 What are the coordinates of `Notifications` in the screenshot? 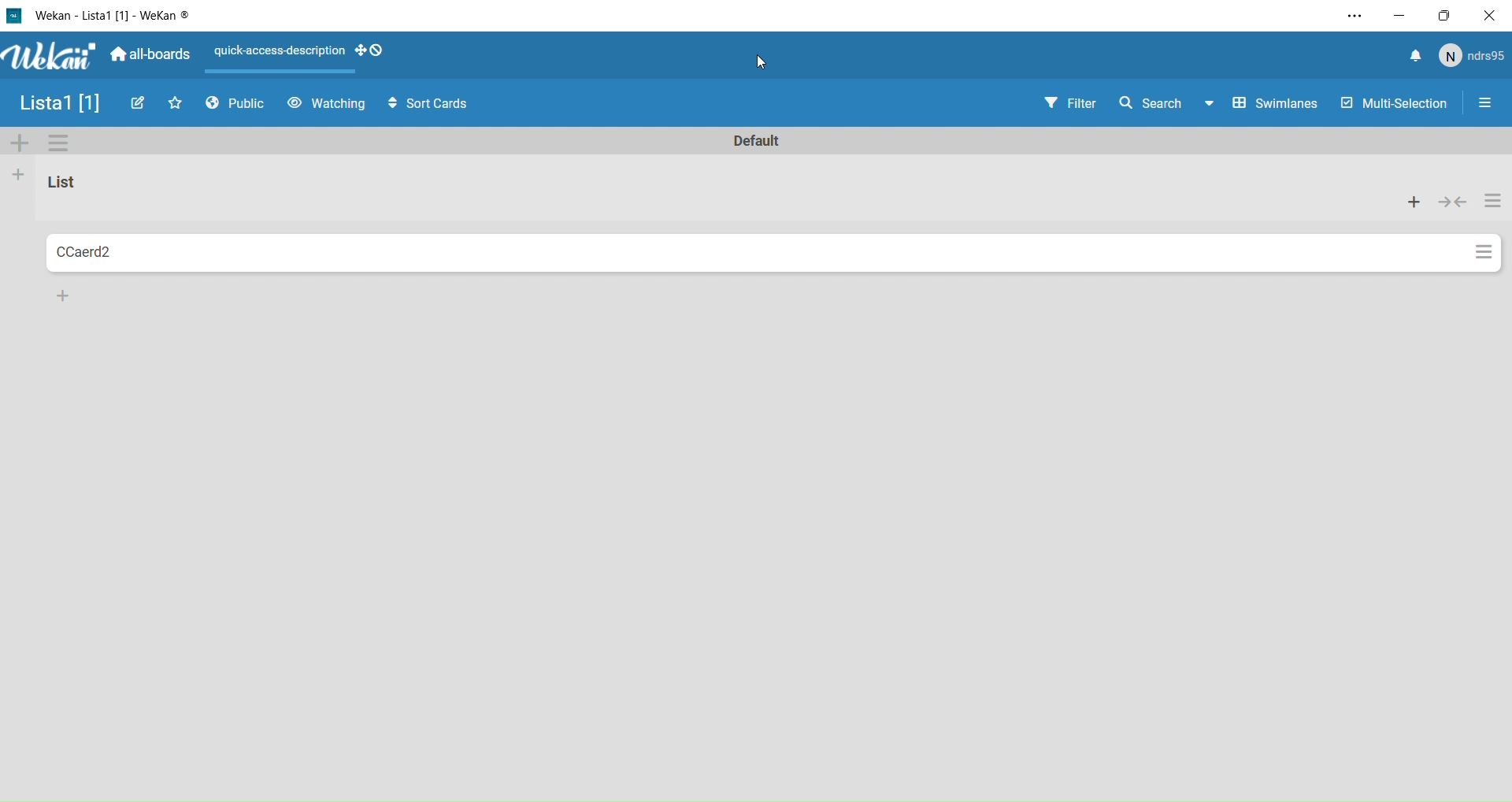 It's located at (1414, 54).